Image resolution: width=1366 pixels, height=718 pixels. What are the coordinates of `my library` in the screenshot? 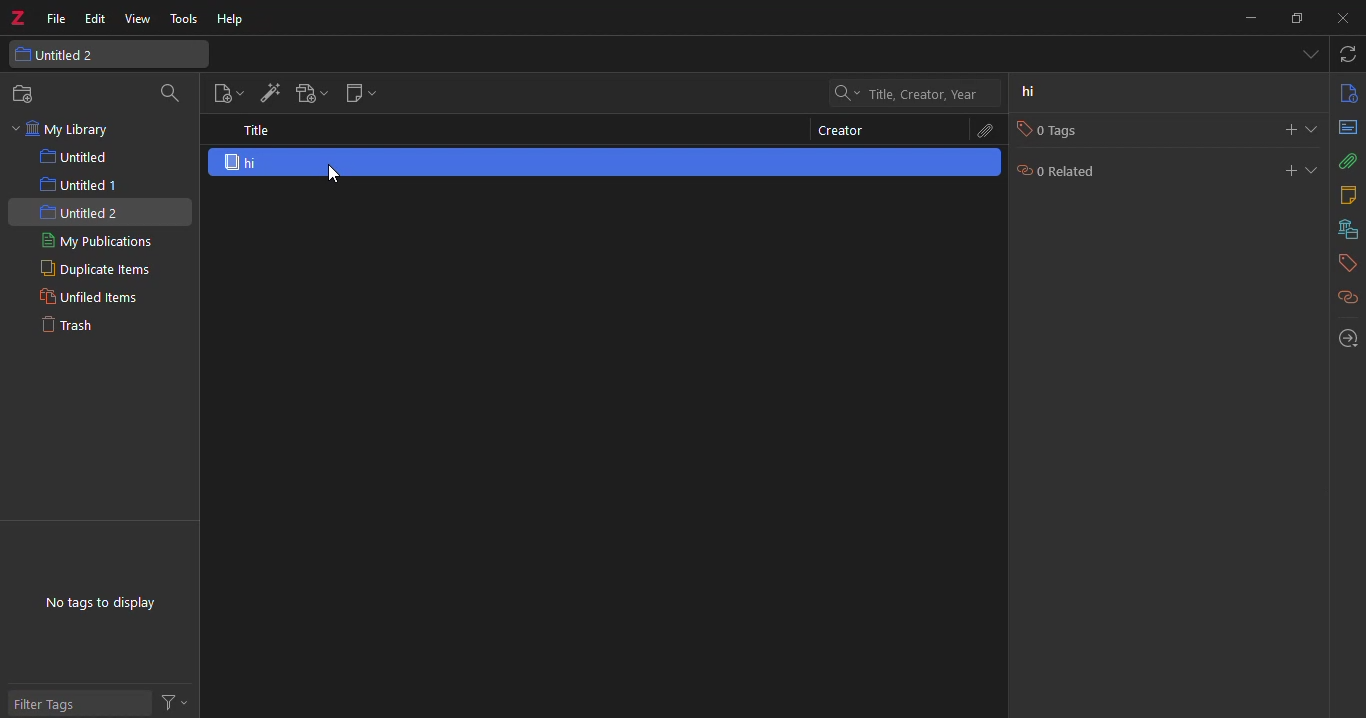 It's located at (74, 130).